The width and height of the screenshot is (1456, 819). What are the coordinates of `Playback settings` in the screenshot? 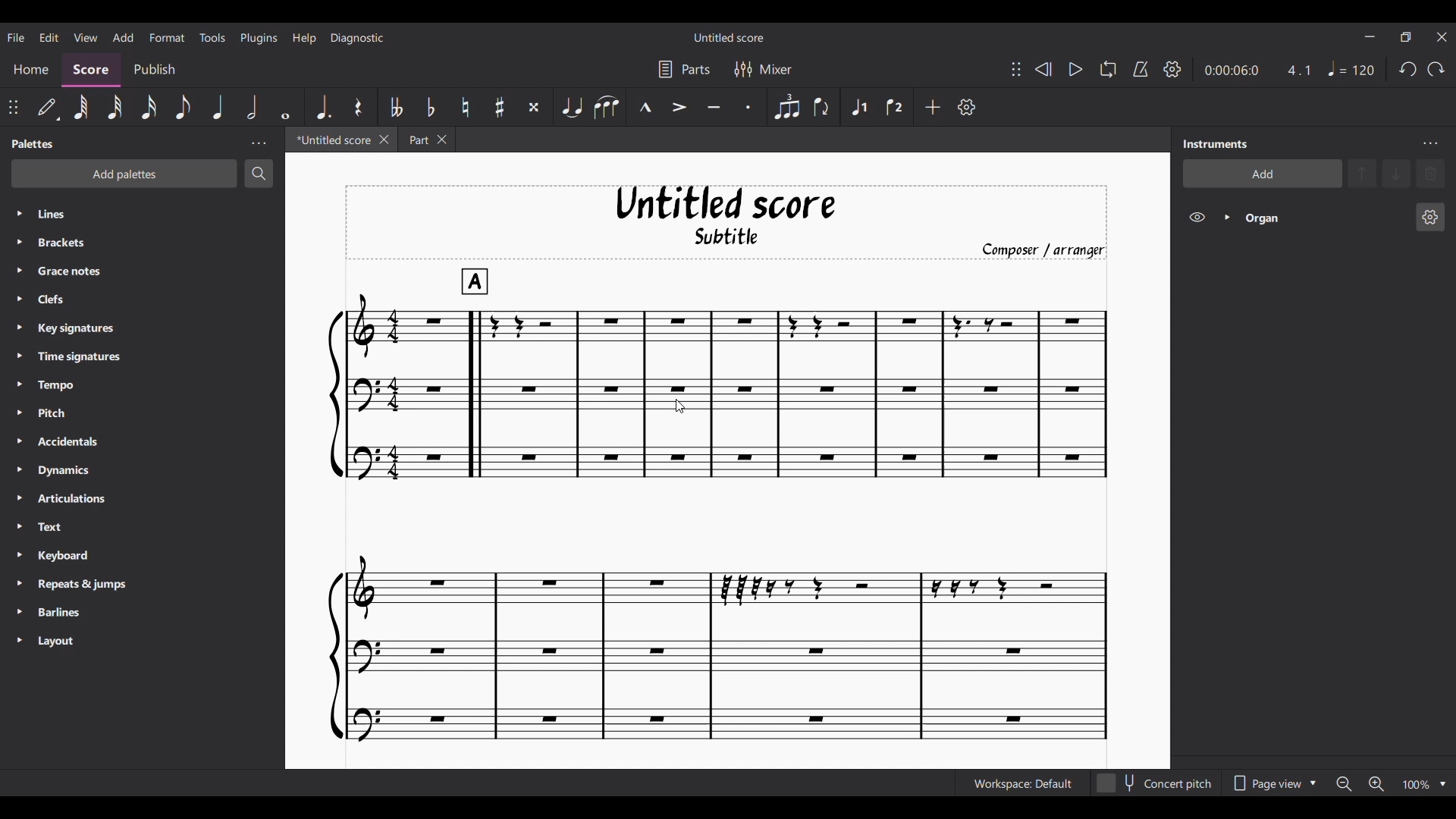 It's located at (1173, 69).